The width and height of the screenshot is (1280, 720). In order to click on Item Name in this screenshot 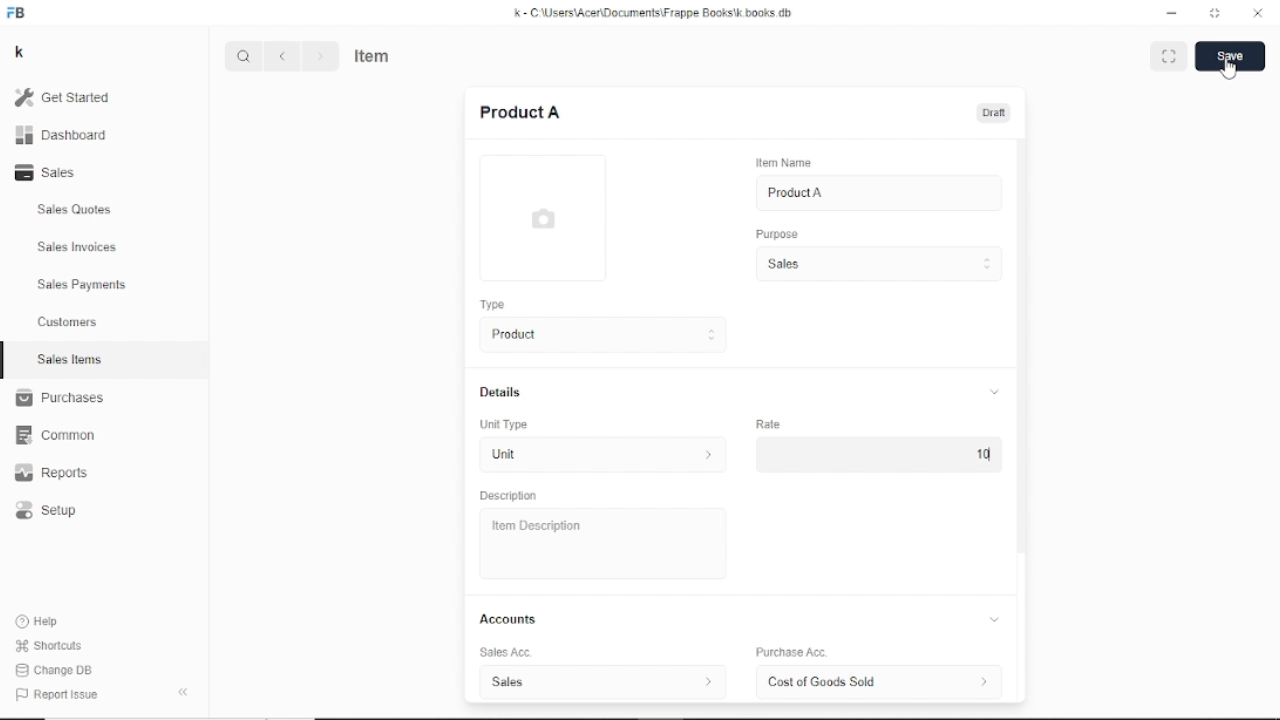, I will do `click(782, 163)`.